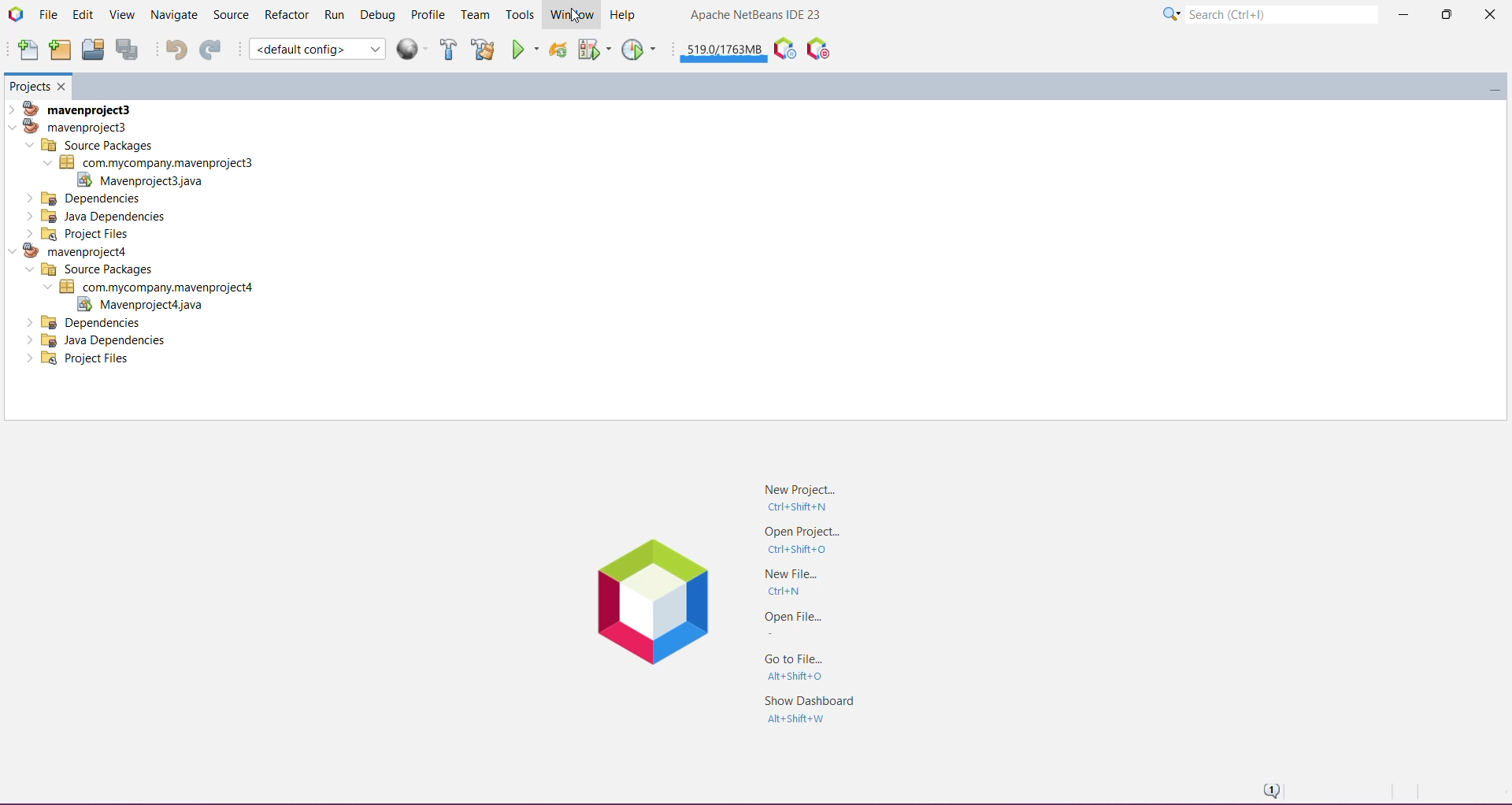 Image resolution: width=1512 pixels, height=805 pixels. Describe the element at coordinates (429, 15) in the screenshot. I see `Profile` at that location.